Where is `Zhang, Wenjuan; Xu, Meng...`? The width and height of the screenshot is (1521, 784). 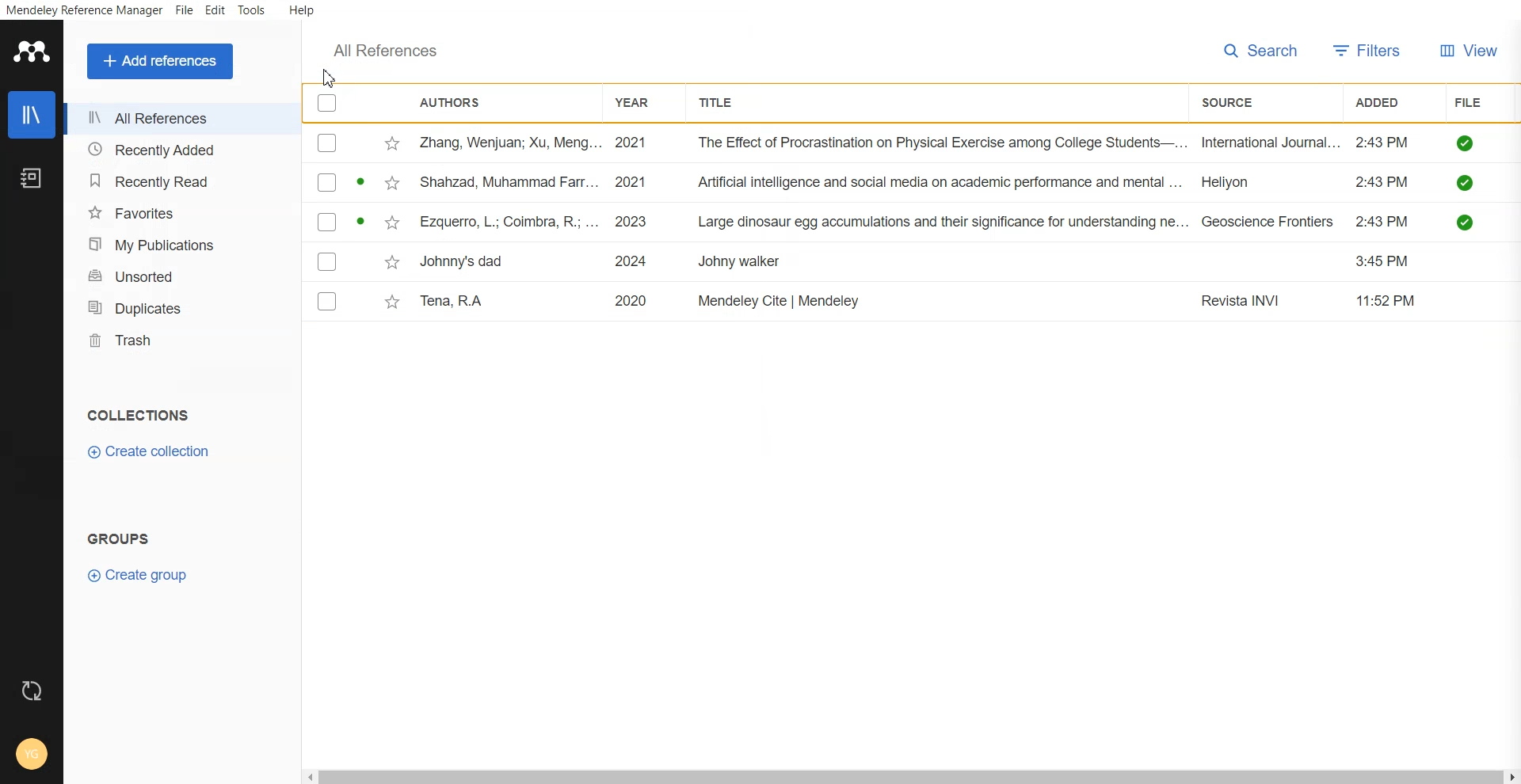
Zhang, Wenjuan; Xu, Meng... is located at coordinates (509, 143).